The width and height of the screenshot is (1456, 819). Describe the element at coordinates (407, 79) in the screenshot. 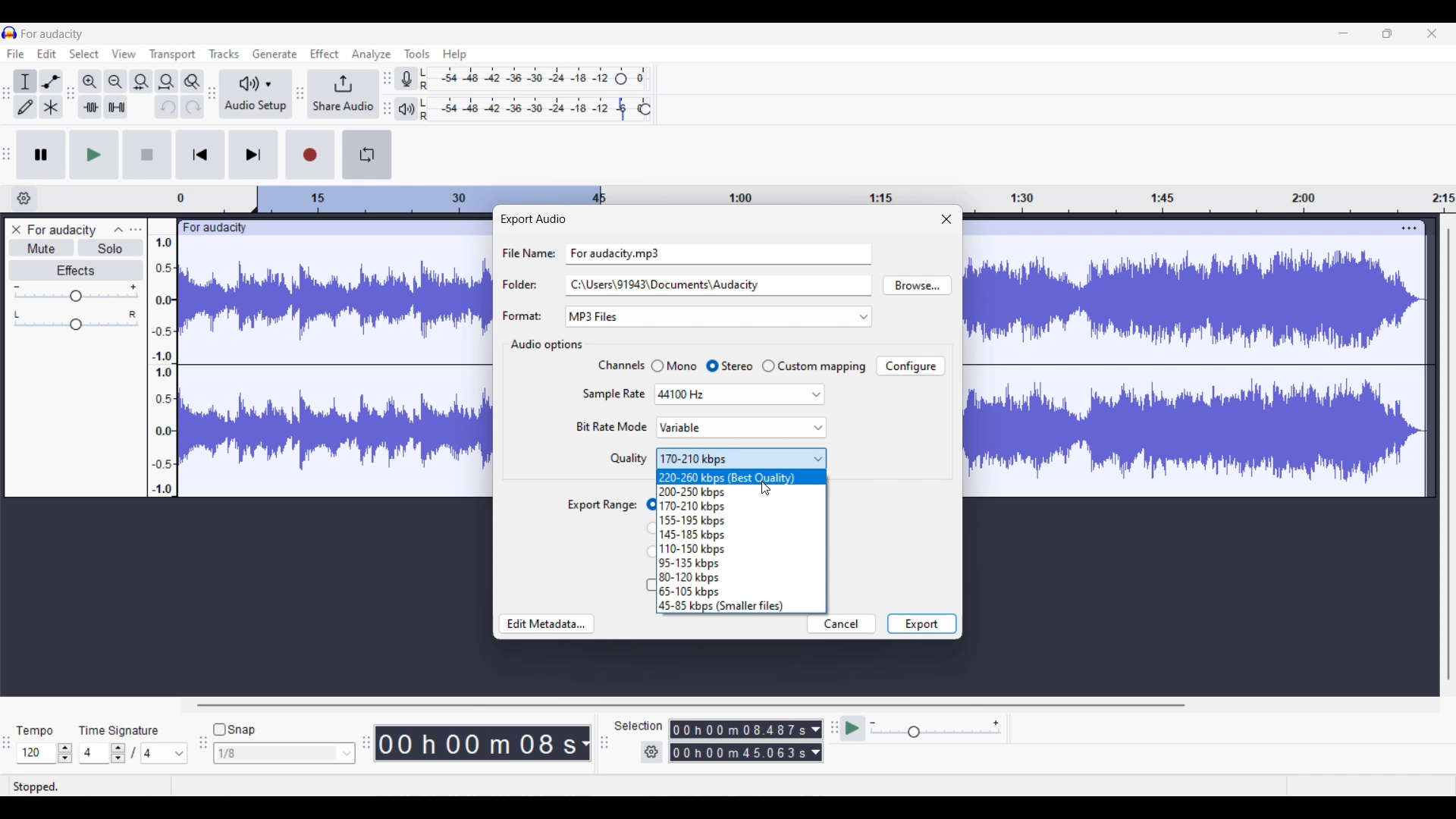

I see `Record meter` at that location.